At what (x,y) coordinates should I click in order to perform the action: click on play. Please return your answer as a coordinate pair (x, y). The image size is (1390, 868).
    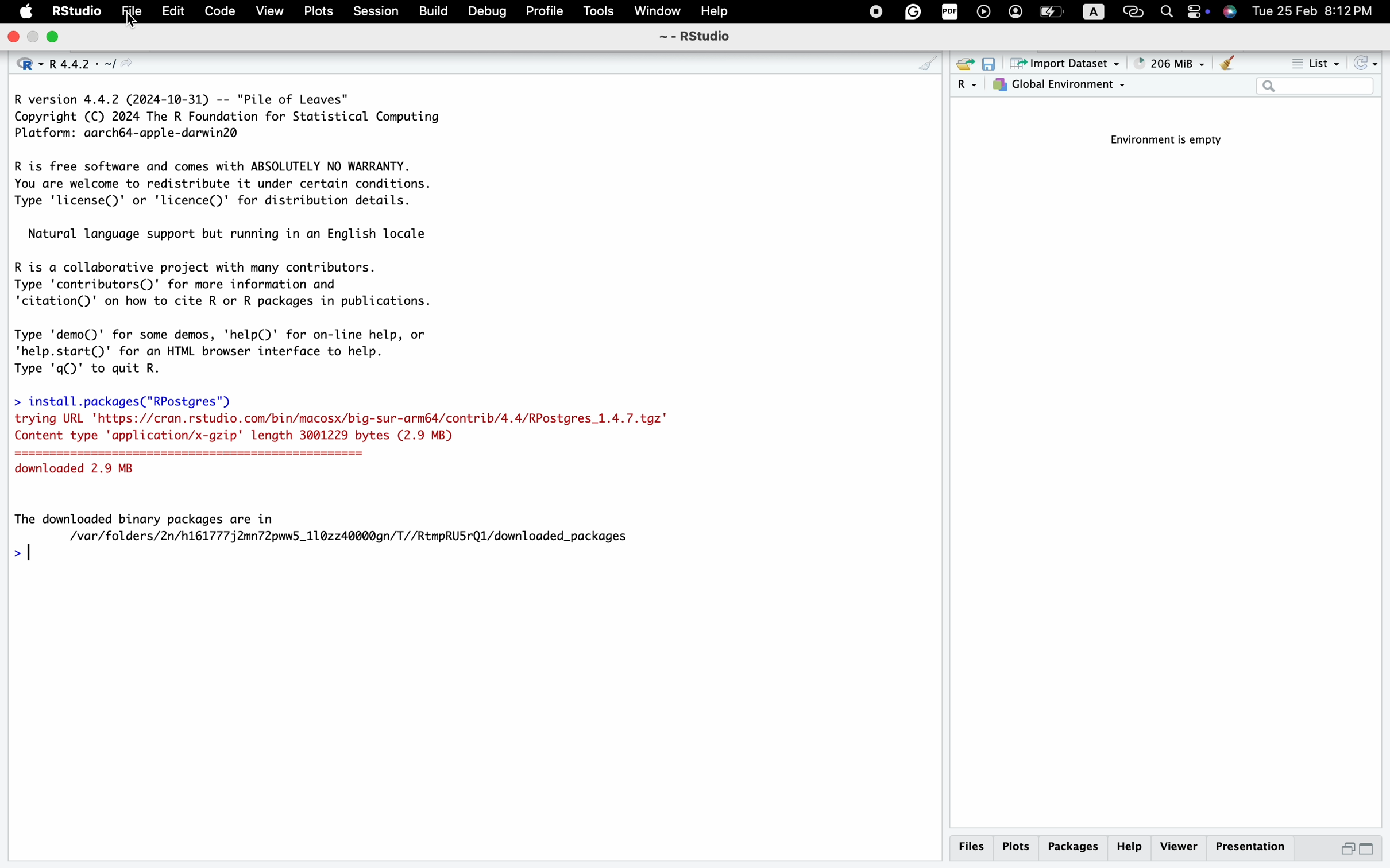
    Looking at the image, I should click on (983, 13).